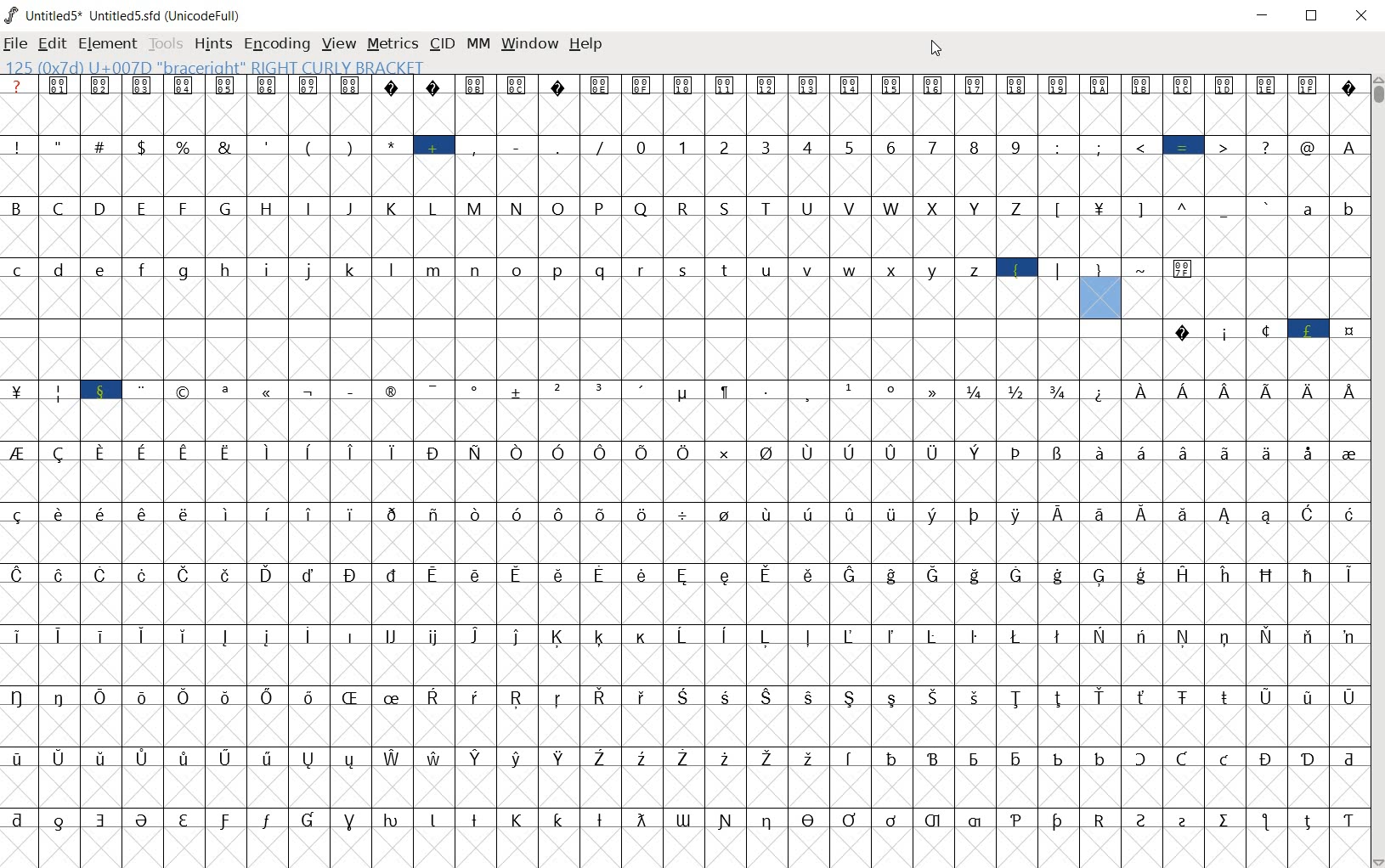 Image resolution: width=1385 pixels, height=868 pixels. I want to click on CURSOR, so click(936, 48).